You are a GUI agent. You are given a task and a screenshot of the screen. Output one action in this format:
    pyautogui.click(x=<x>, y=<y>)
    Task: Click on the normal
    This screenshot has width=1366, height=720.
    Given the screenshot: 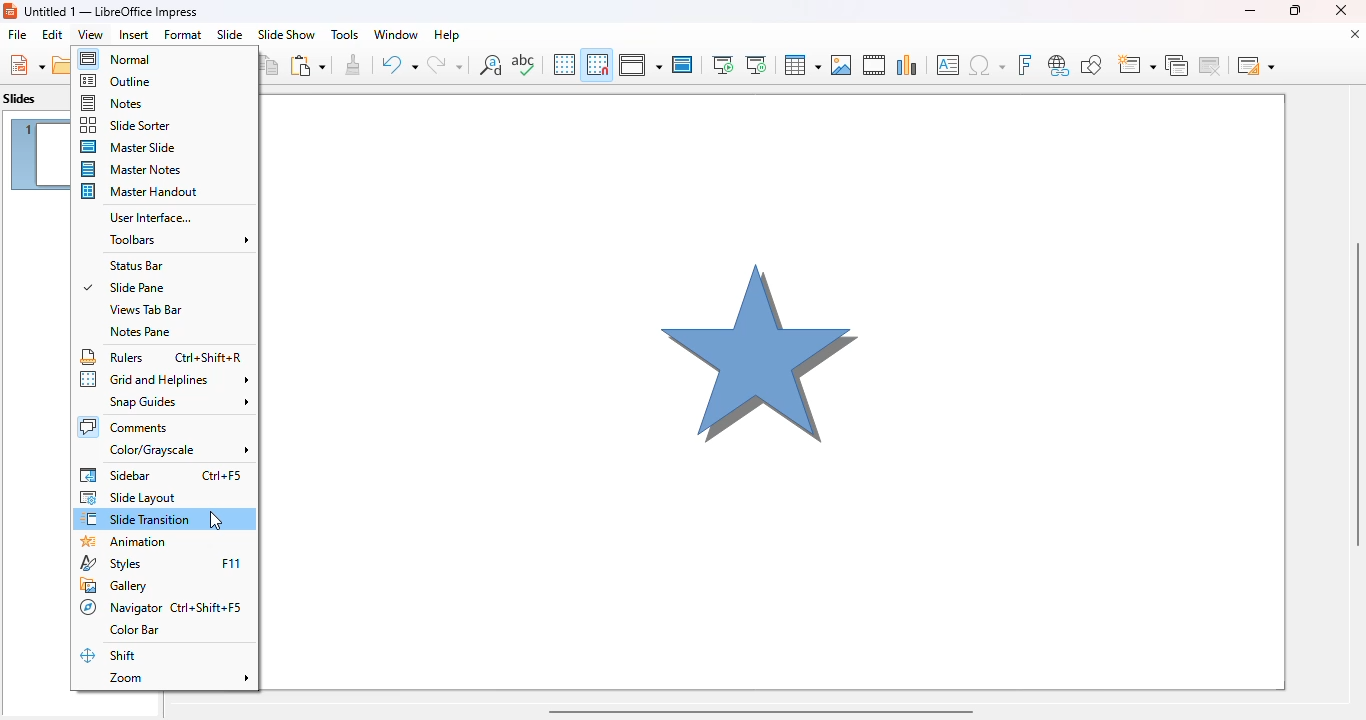 What is the action you would take?
    pyautogui.click(x=115, y=58)
    